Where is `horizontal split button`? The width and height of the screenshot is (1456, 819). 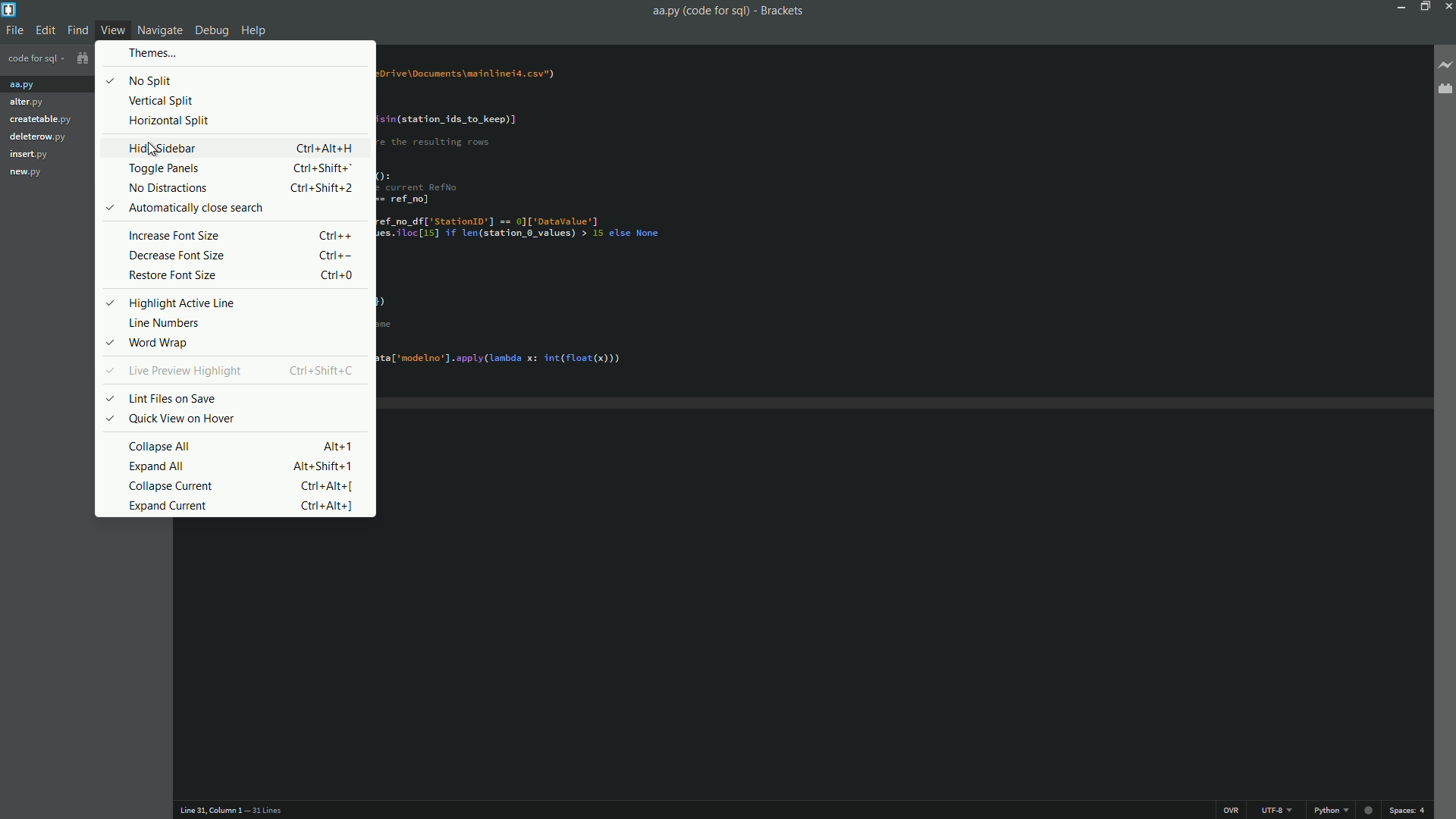 horizontal split button is located at coordinates (169, 121).